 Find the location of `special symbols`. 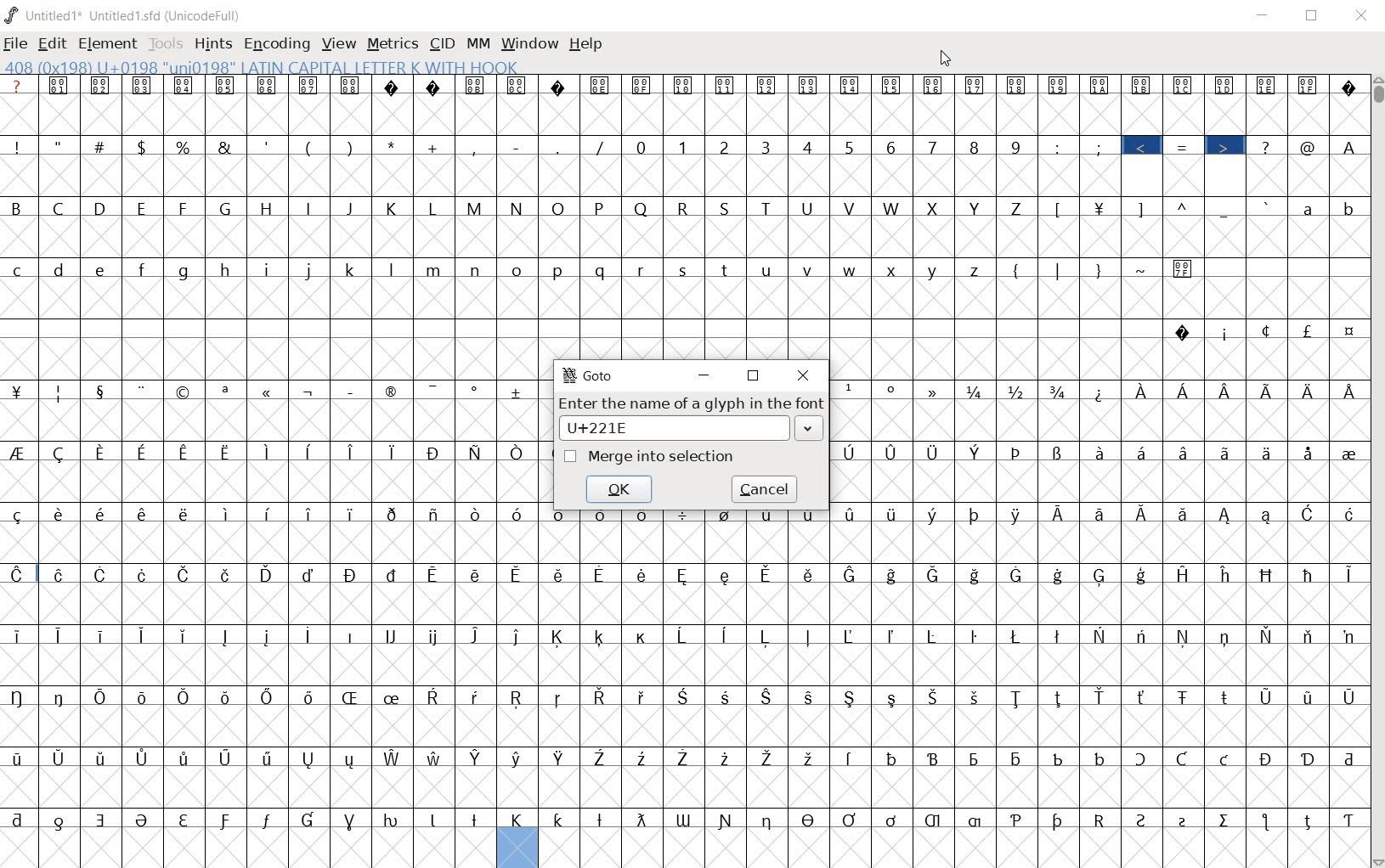

special symbols is located at coordinates (1267, 330).